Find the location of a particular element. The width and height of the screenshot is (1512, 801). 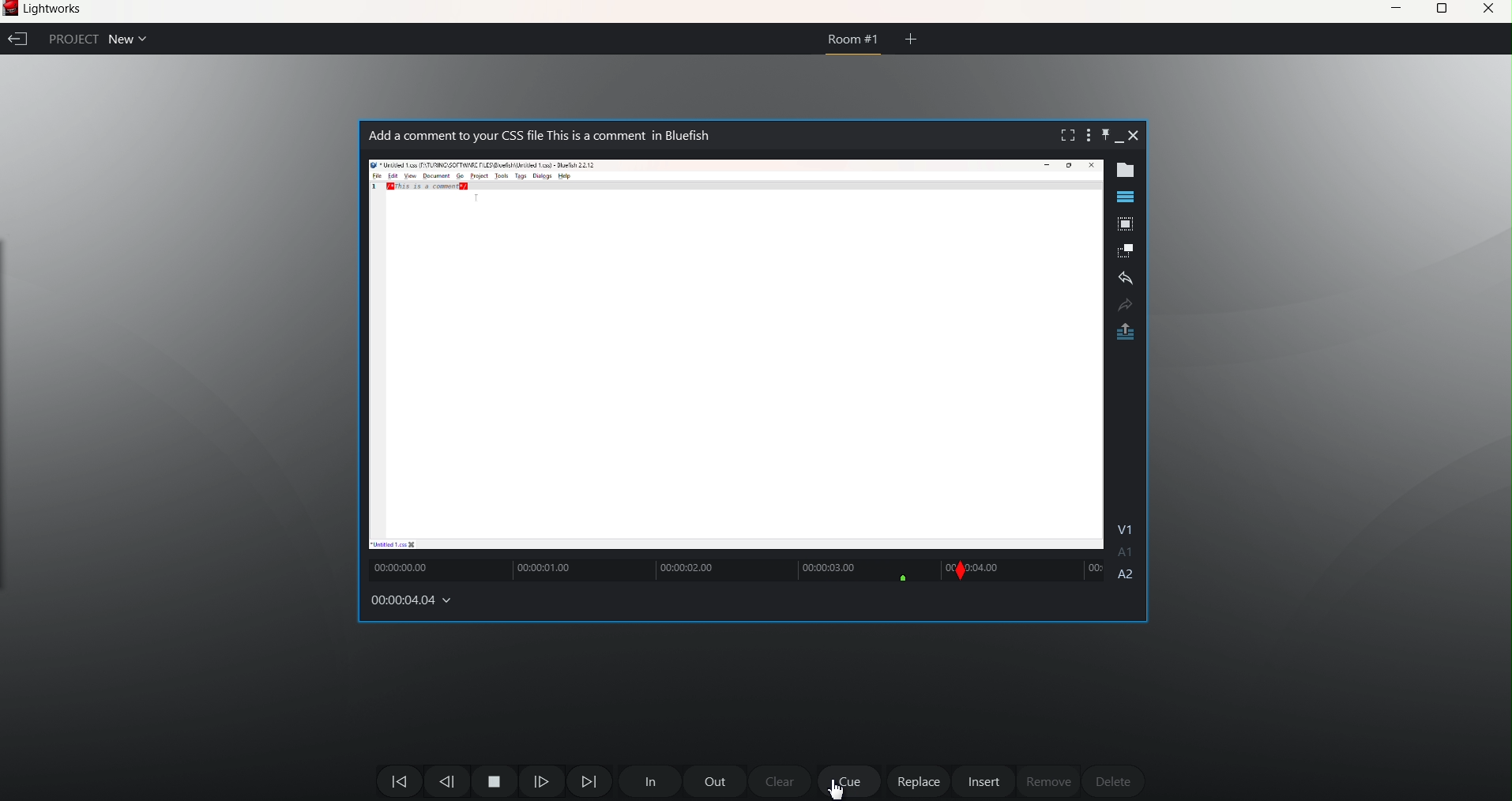

Cue Added is located at coordinates (908, 579).